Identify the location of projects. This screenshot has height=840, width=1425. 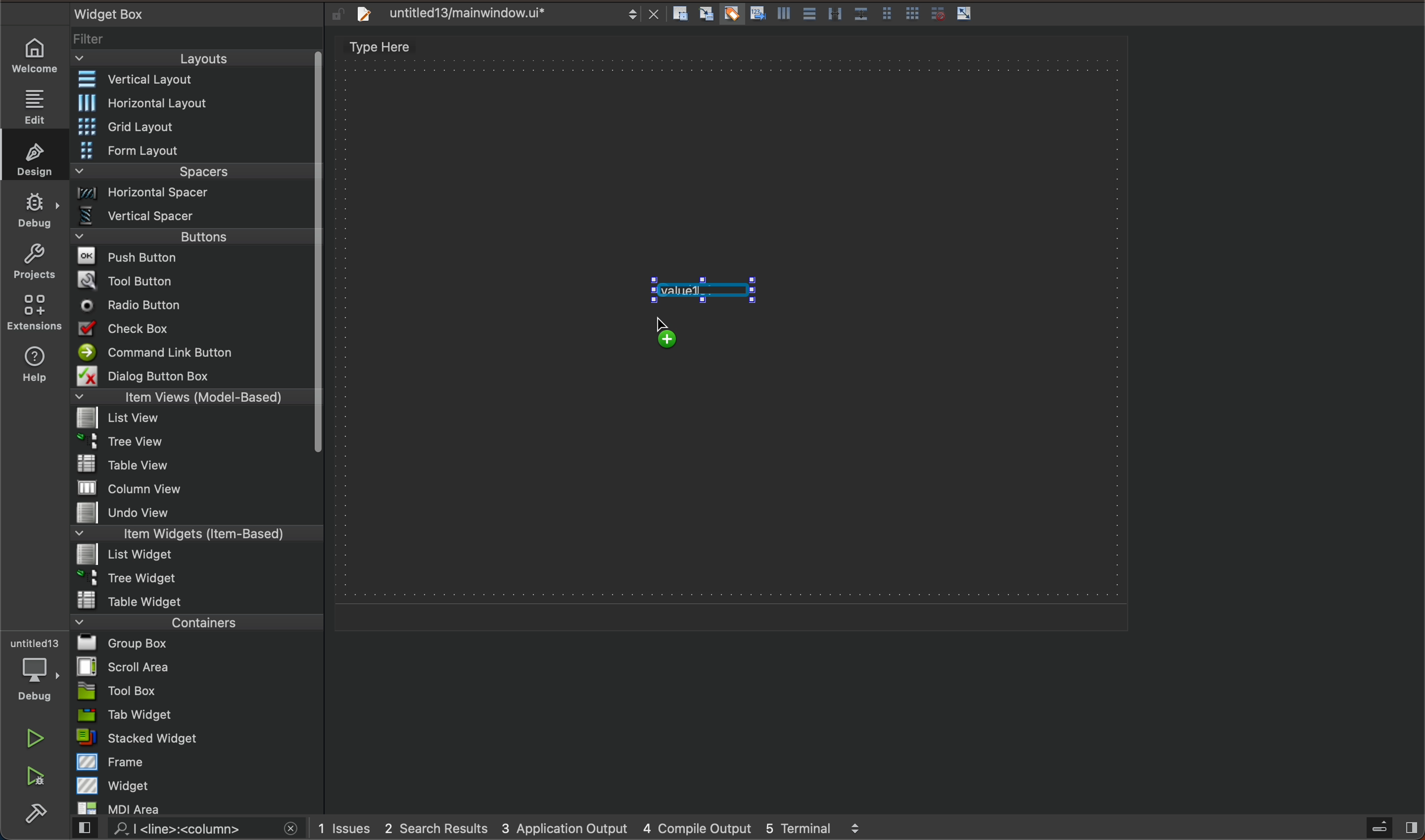
(34, 264).